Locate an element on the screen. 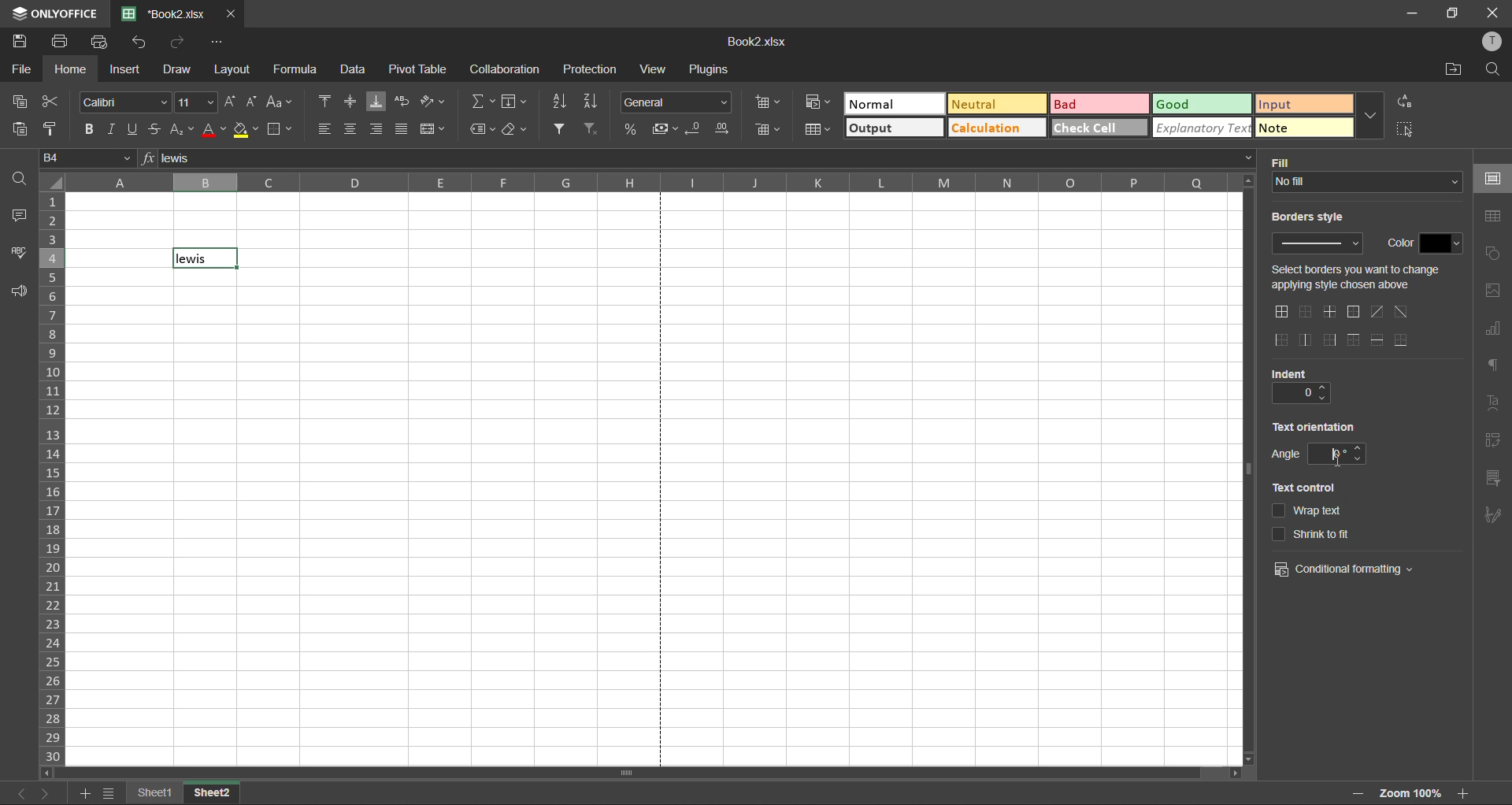 The height and width of the screenshot is (805, 1512). profile is located at coordinates (1492, 42).